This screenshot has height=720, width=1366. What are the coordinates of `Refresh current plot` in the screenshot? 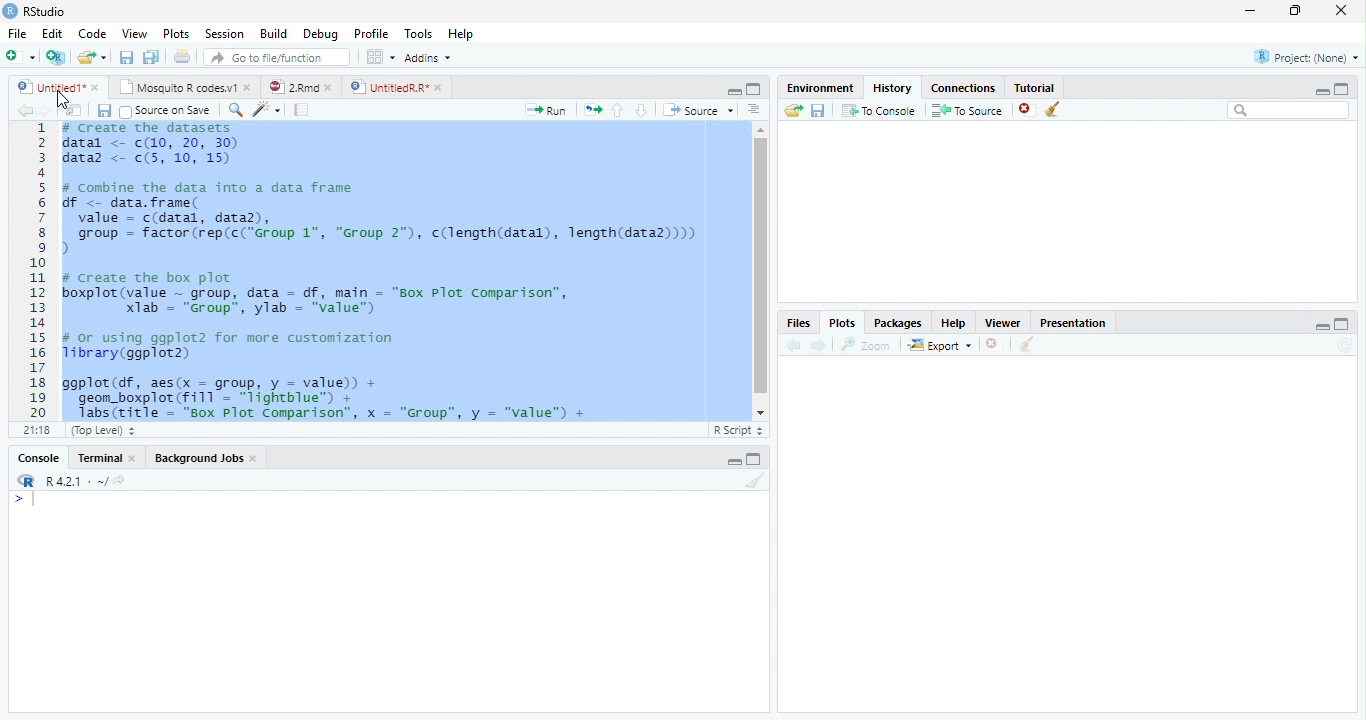 It's located at (1345, 346).